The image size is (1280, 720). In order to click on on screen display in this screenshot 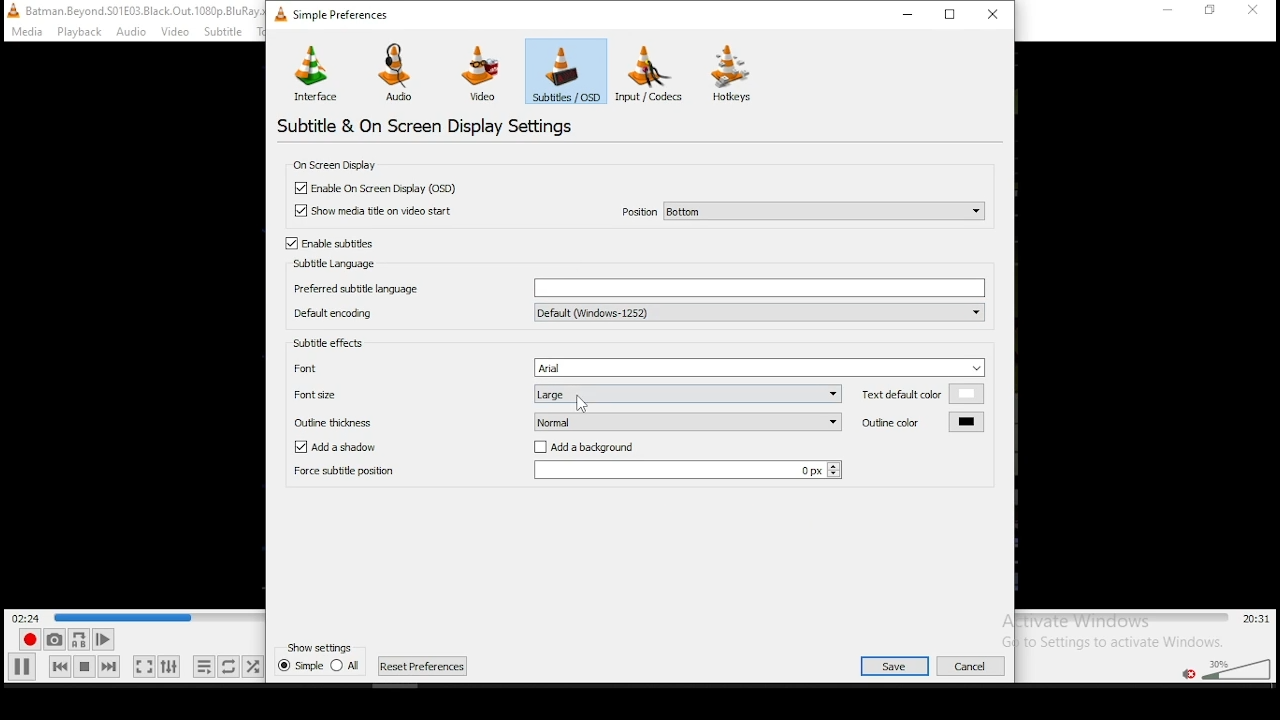, I will do `click(332, 164)`.